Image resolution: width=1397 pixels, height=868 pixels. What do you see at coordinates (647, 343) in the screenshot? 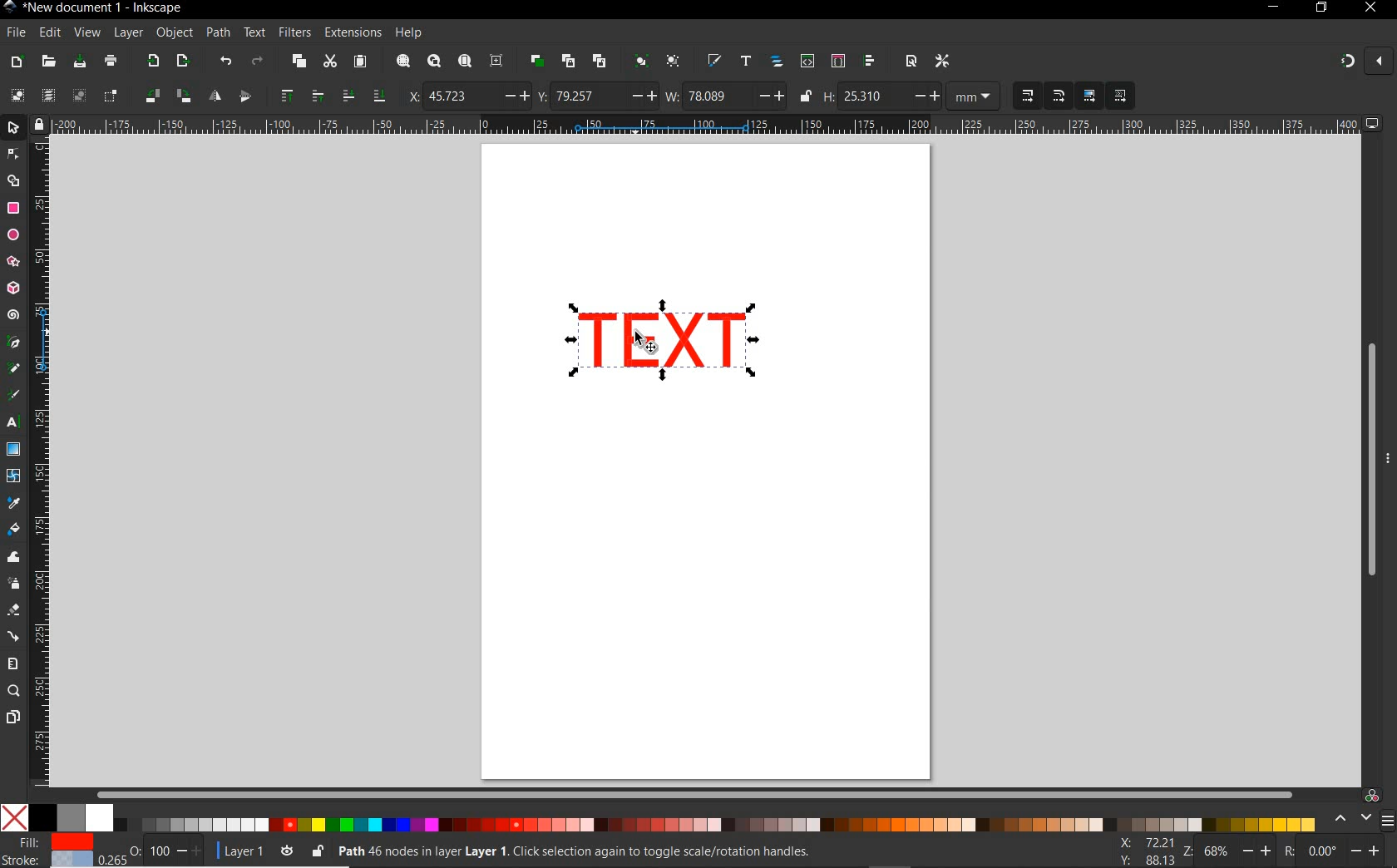
I see `cursor` at bounding box center [647, 343].